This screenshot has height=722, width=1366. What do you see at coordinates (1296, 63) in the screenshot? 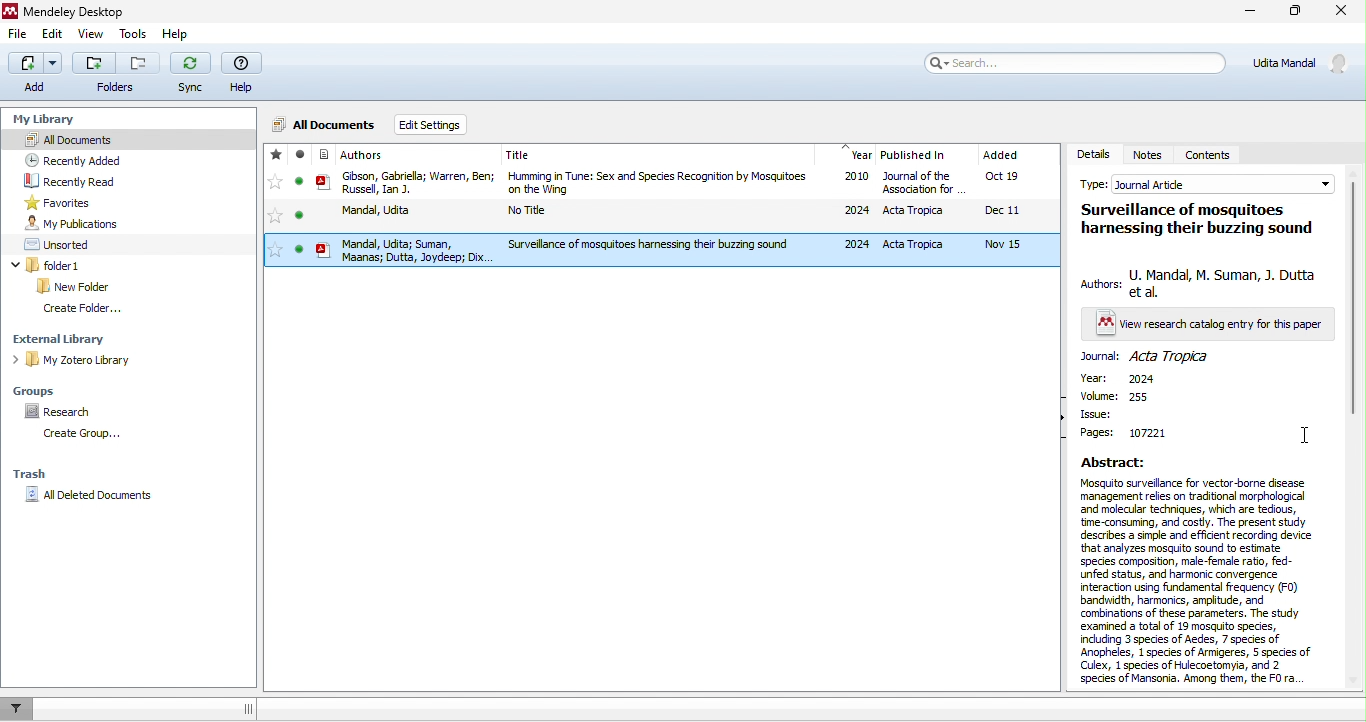
I see `account` at bounding box center [1296, 63].